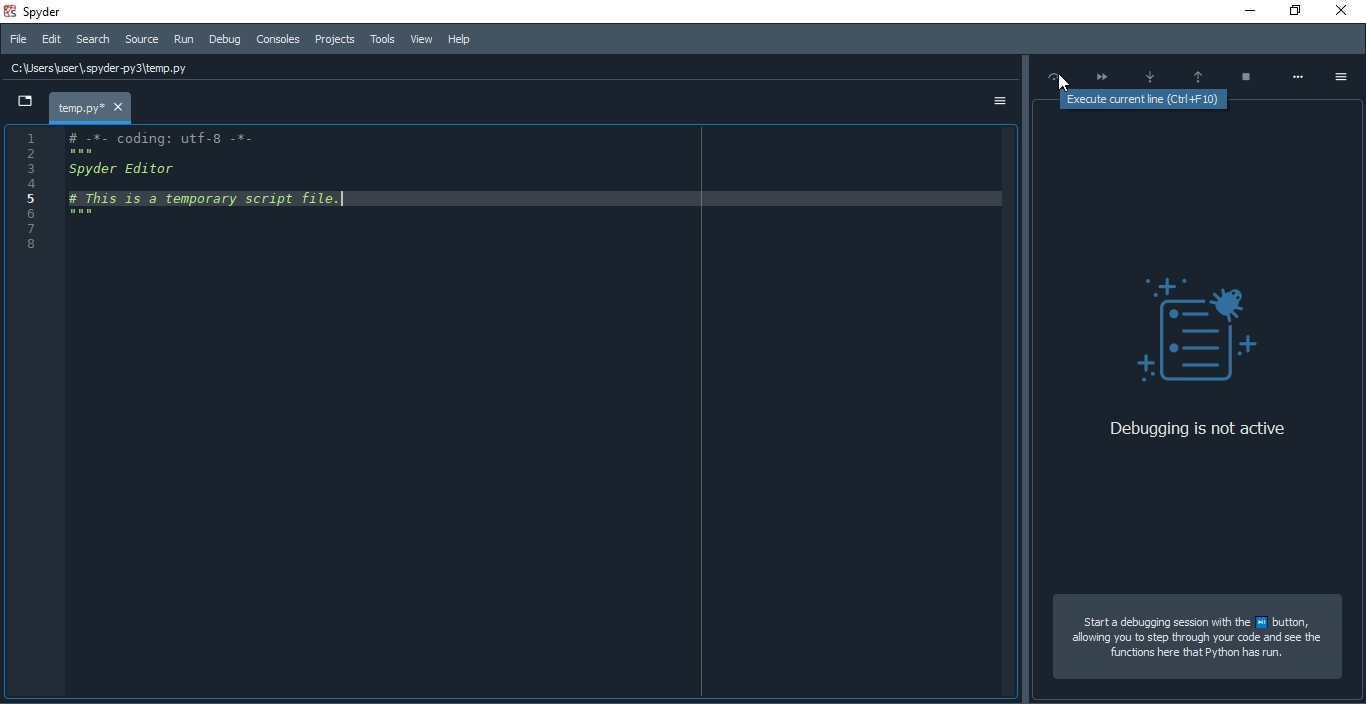 Image resolution: width=1366 pixels, height=704 pixels. I want to click on Numbers of line, so click(24, 196).